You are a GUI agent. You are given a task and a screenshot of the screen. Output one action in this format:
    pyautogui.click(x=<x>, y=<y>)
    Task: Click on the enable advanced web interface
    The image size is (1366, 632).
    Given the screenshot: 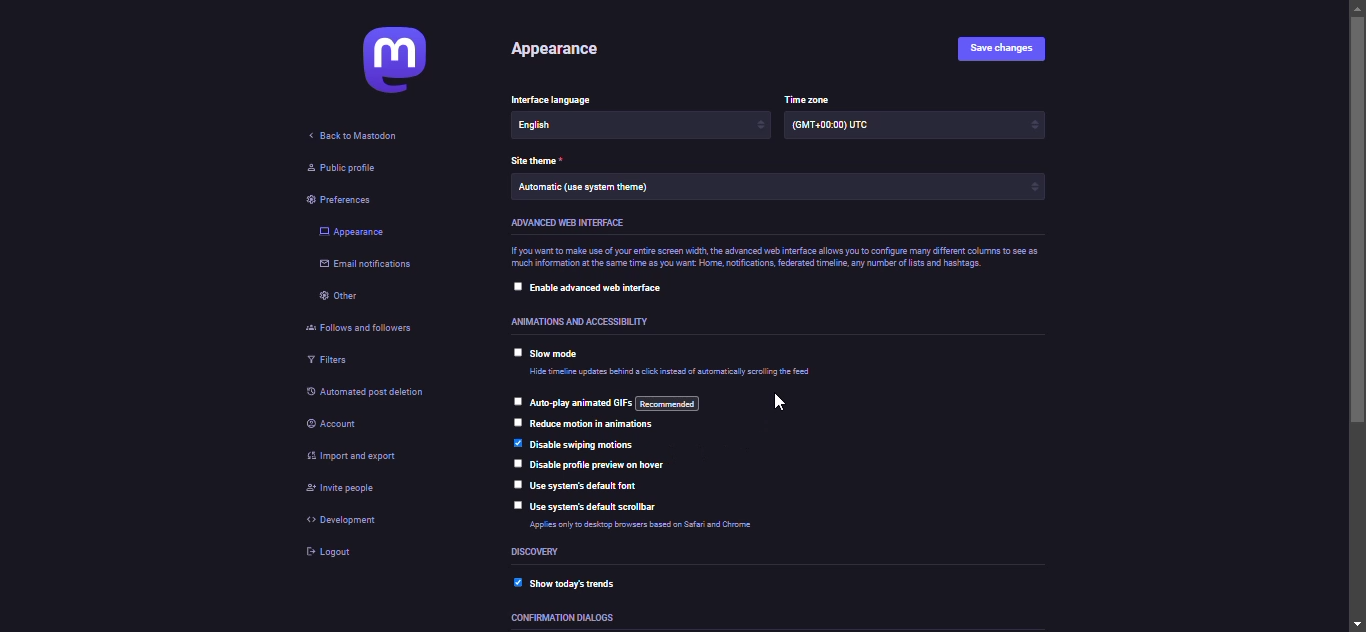 What is the action you would take?
    pyautogui.click(x=605, y=288)
    